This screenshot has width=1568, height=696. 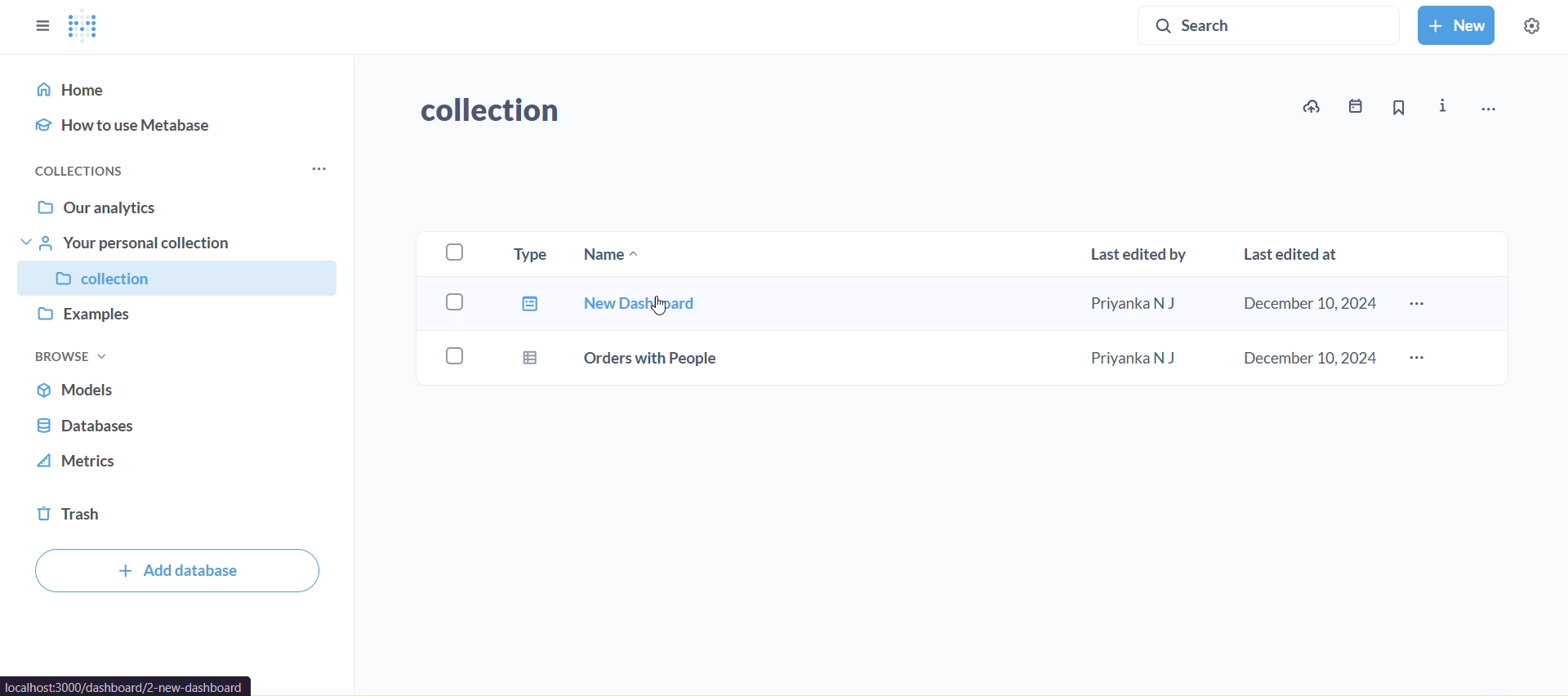 I want to click on close sidebar, so click(x=42, y=26).